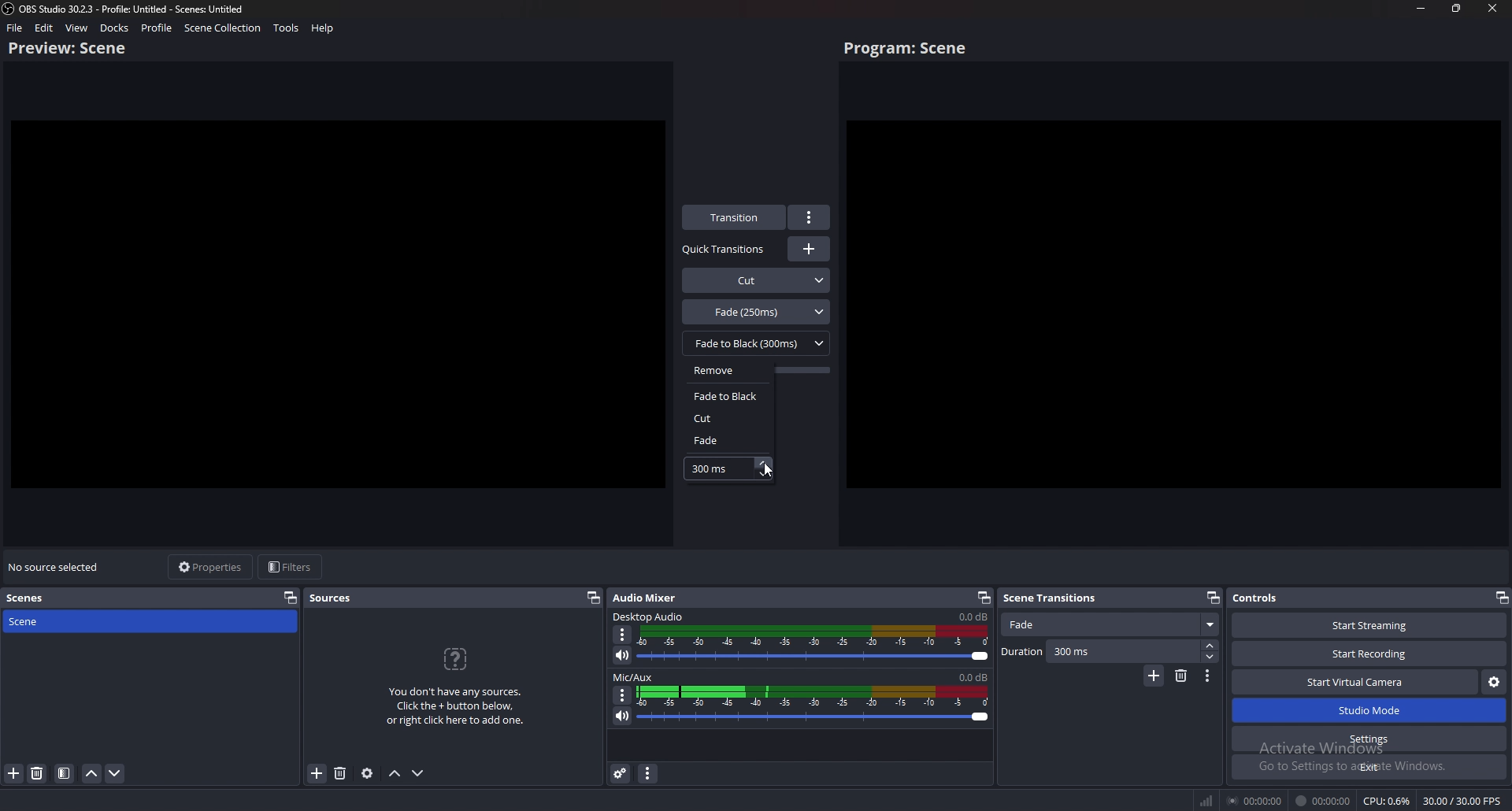 The height and width of the screenshot is (811, 1512). What do you see at coordinates (142, 8) in the screenshot?
I see `) OBS 30.2.3 - Profile: Untitled - Scenes: Untitled` at bounding box center [142, 8].